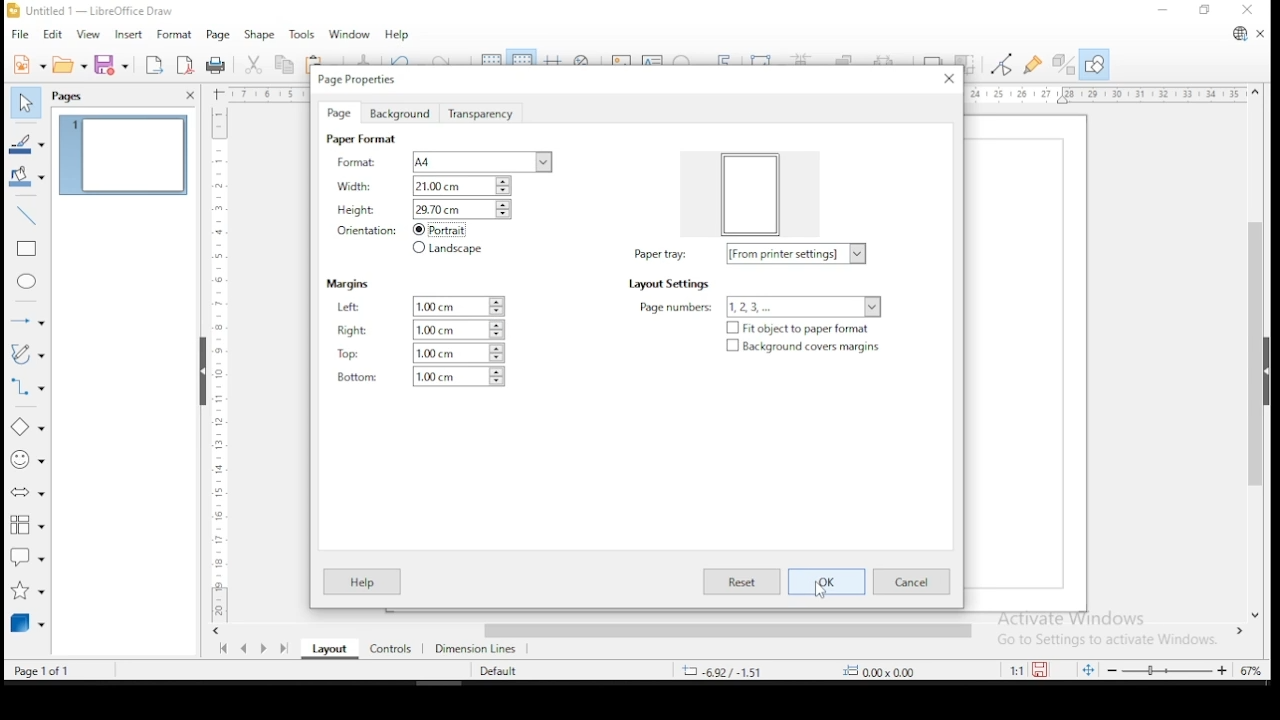 The width and height of the screenshot is (1280, 720). I want to click on simple shapes, so click(28, 431).